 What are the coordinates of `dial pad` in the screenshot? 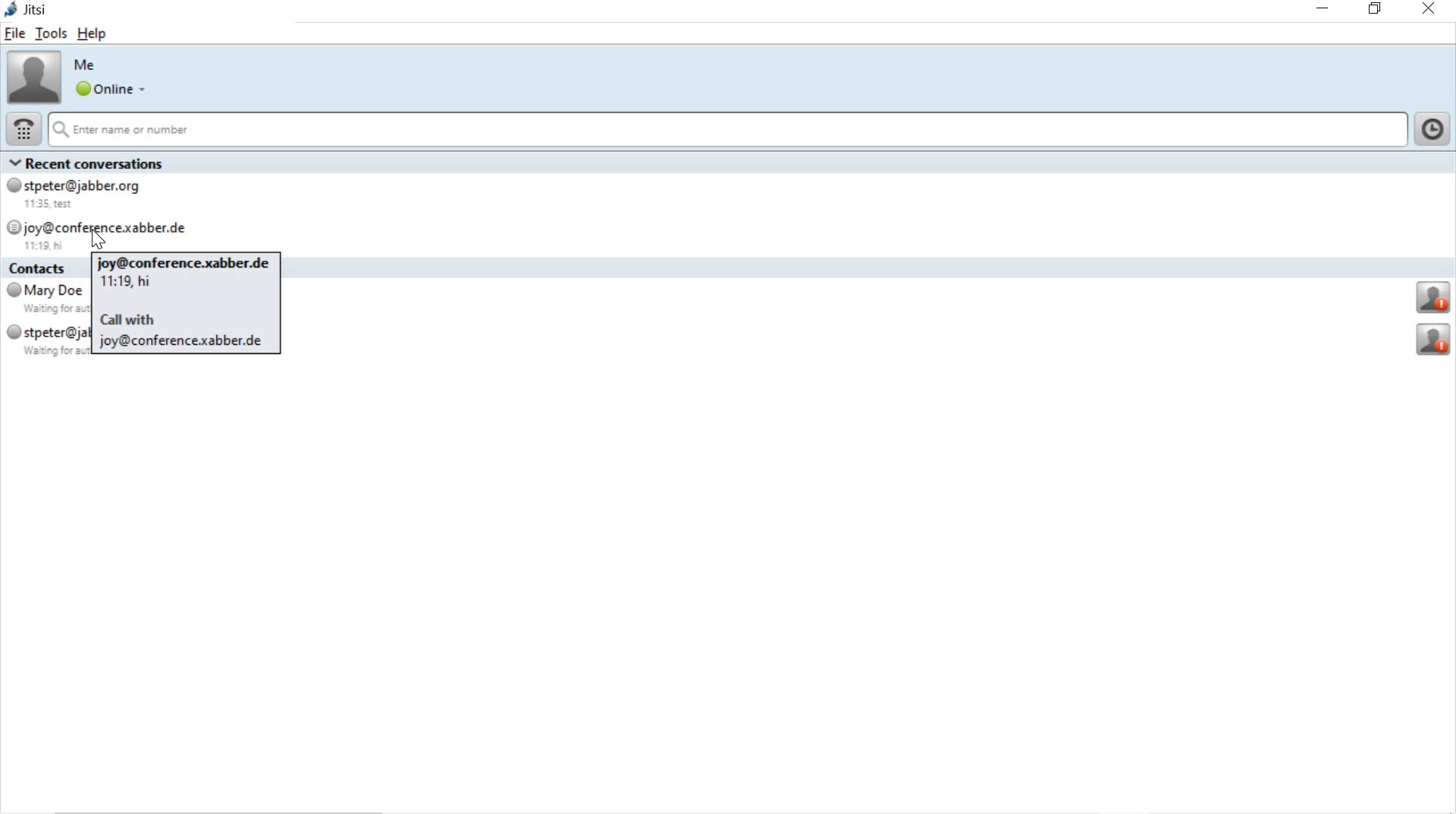 It's located at (20, 130).